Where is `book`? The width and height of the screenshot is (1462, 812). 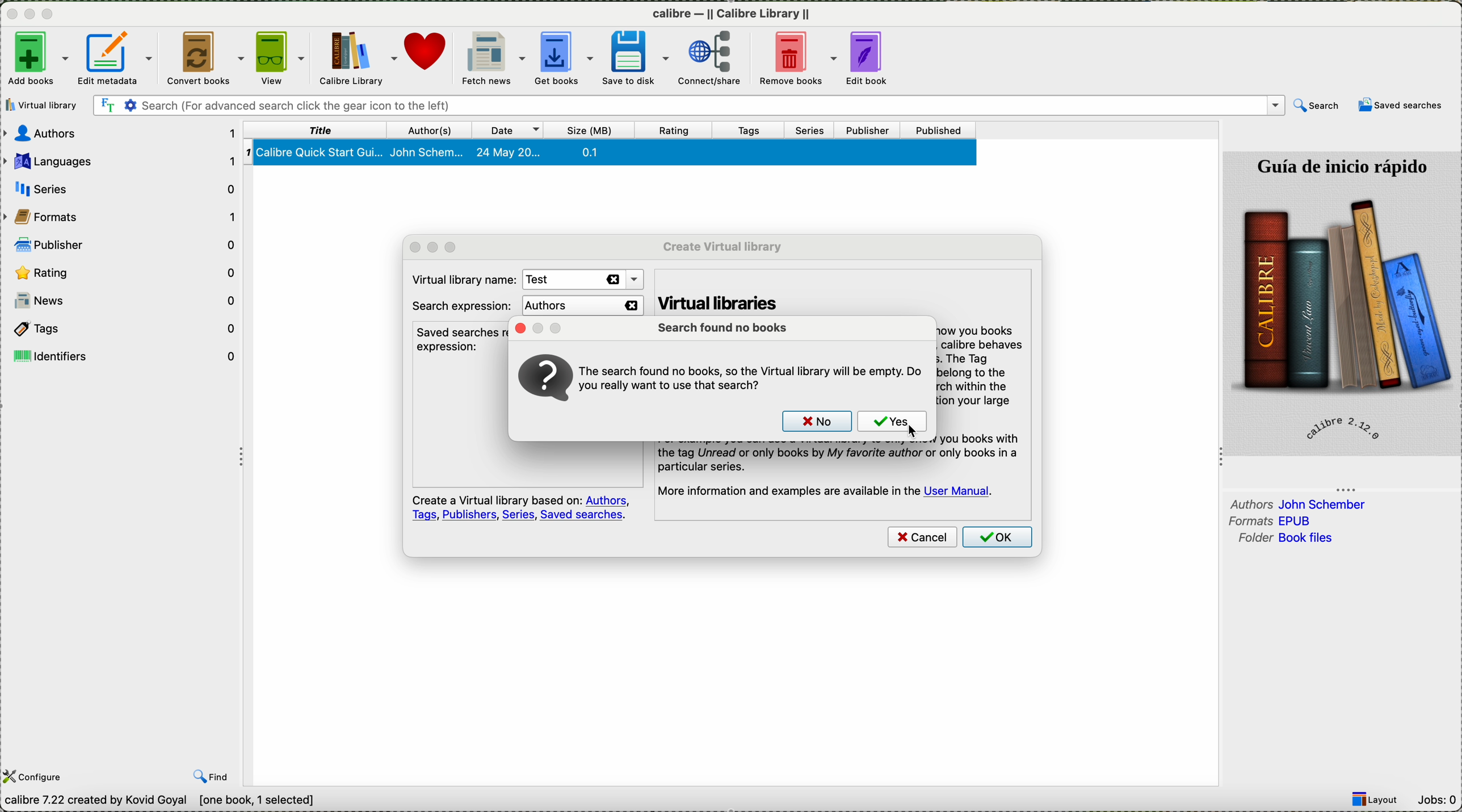 book is located at coordinates (612, 154).